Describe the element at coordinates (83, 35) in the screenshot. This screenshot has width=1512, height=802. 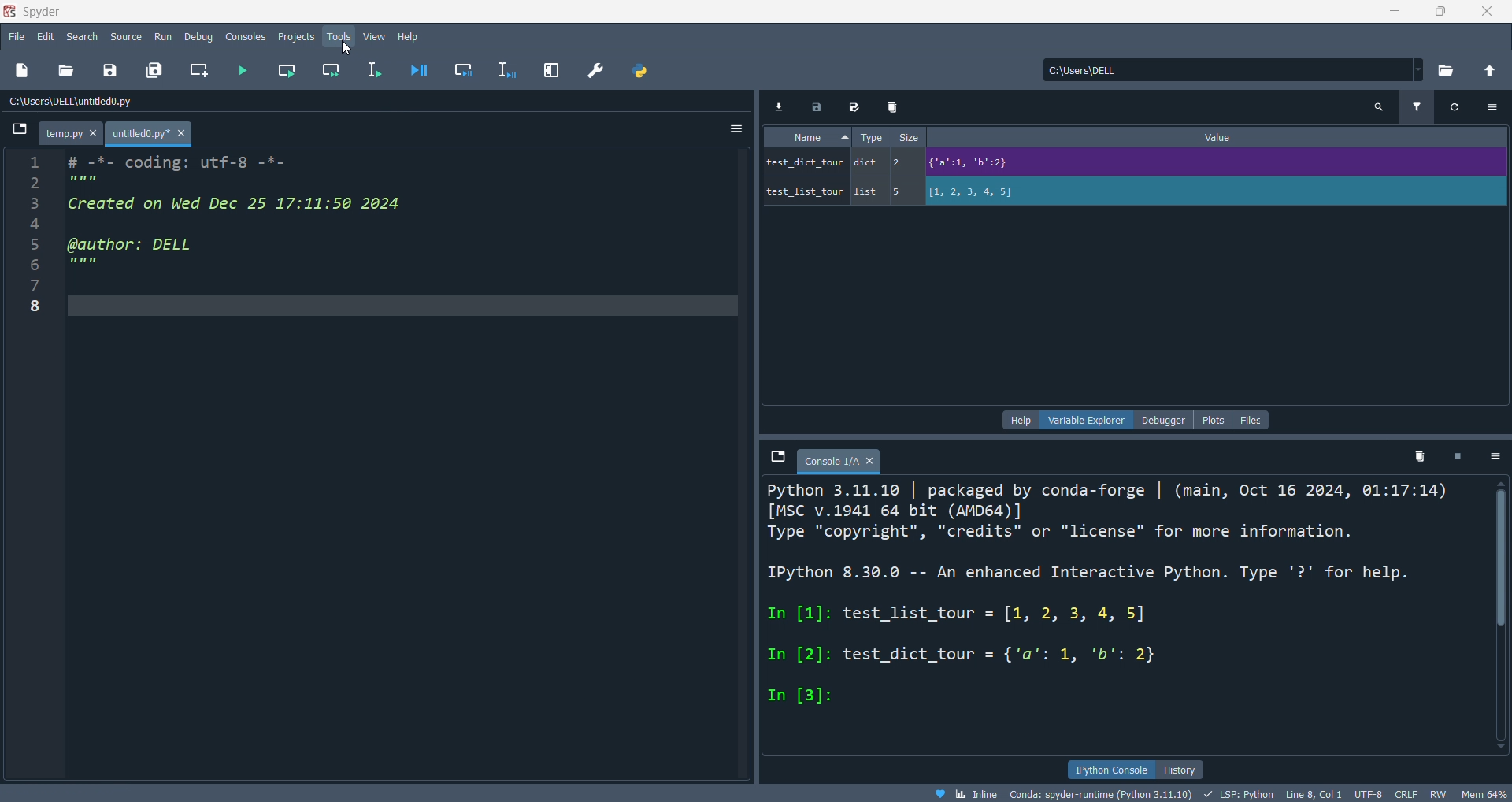
I see `search` at that location.